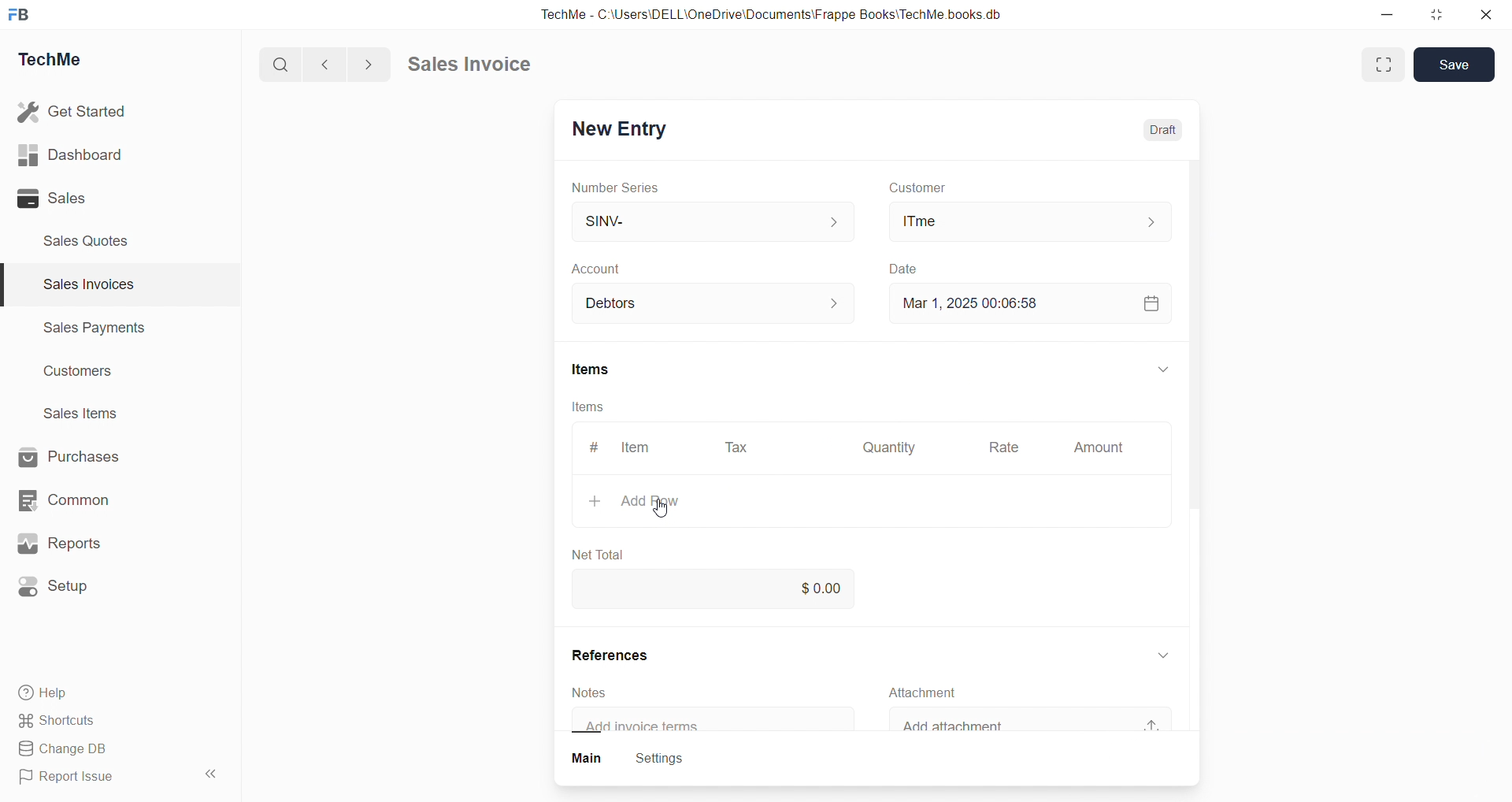 Image resolution: width=1512 pixels, height=802 pixels. I want to click on Items, so click(602, 369).